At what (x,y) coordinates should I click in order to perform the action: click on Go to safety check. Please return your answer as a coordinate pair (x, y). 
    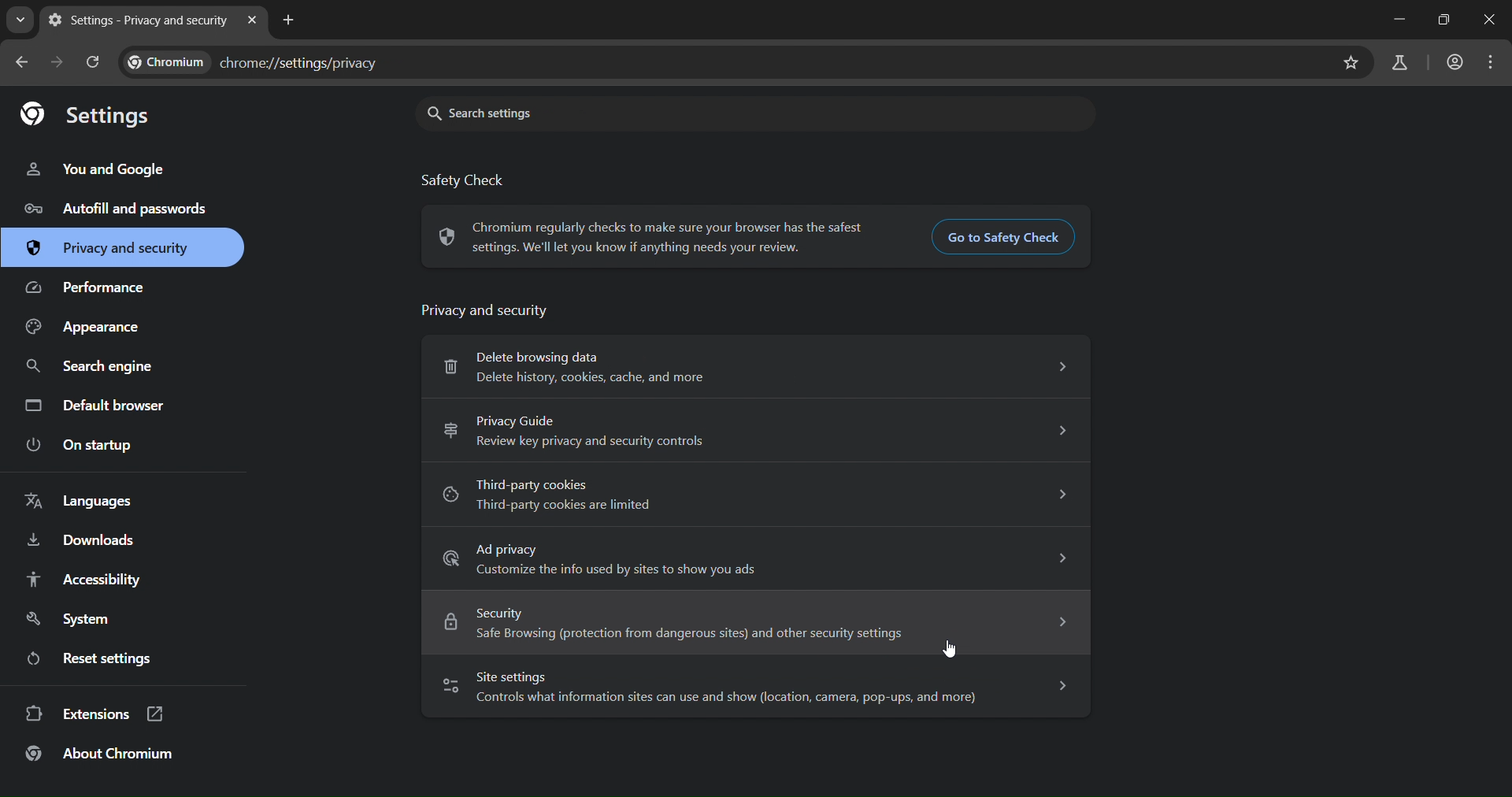
    Looking at the image, I should click on (1000, 237).